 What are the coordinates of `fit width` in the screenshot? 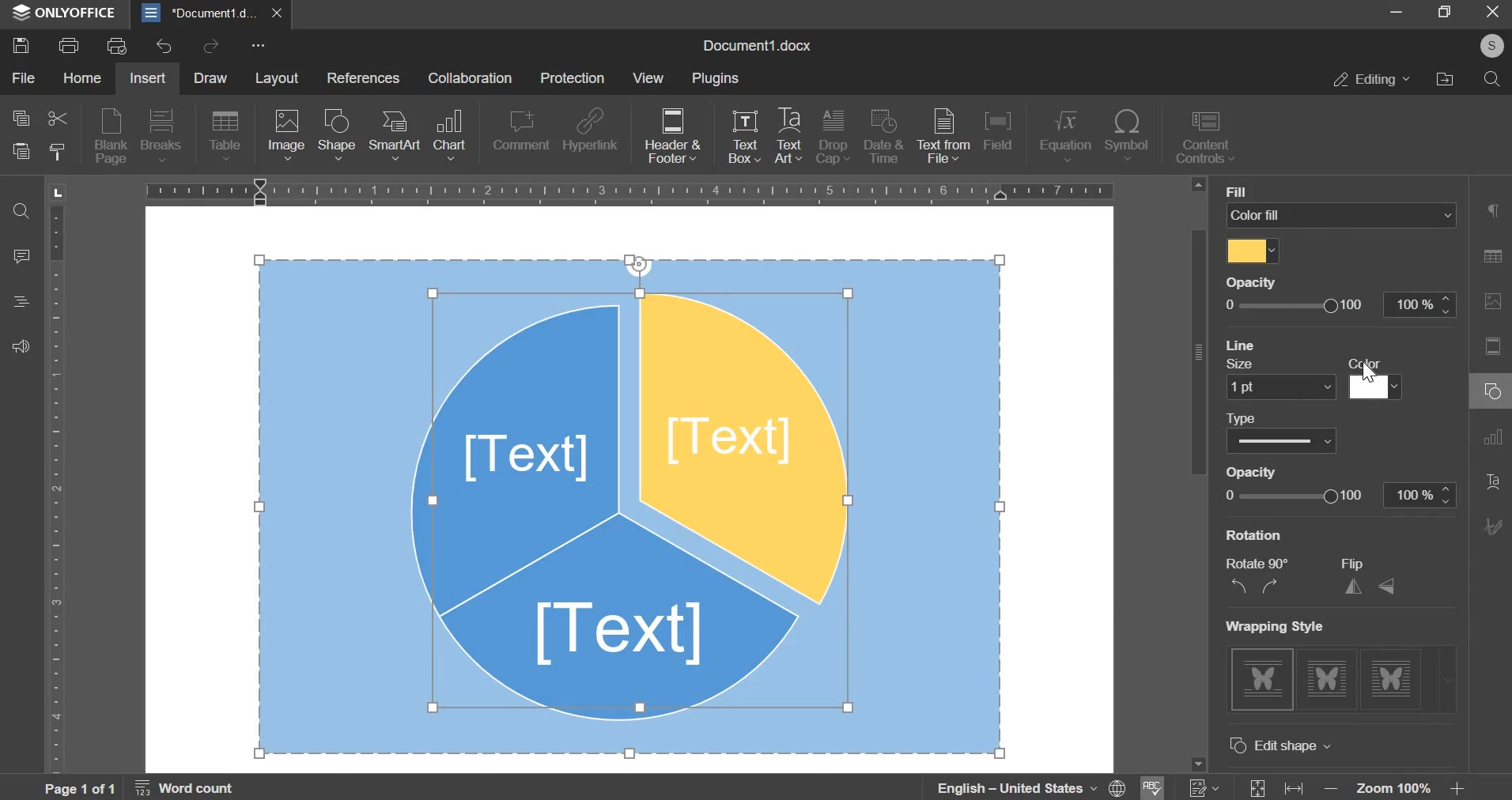 It's located at (1300, 783).